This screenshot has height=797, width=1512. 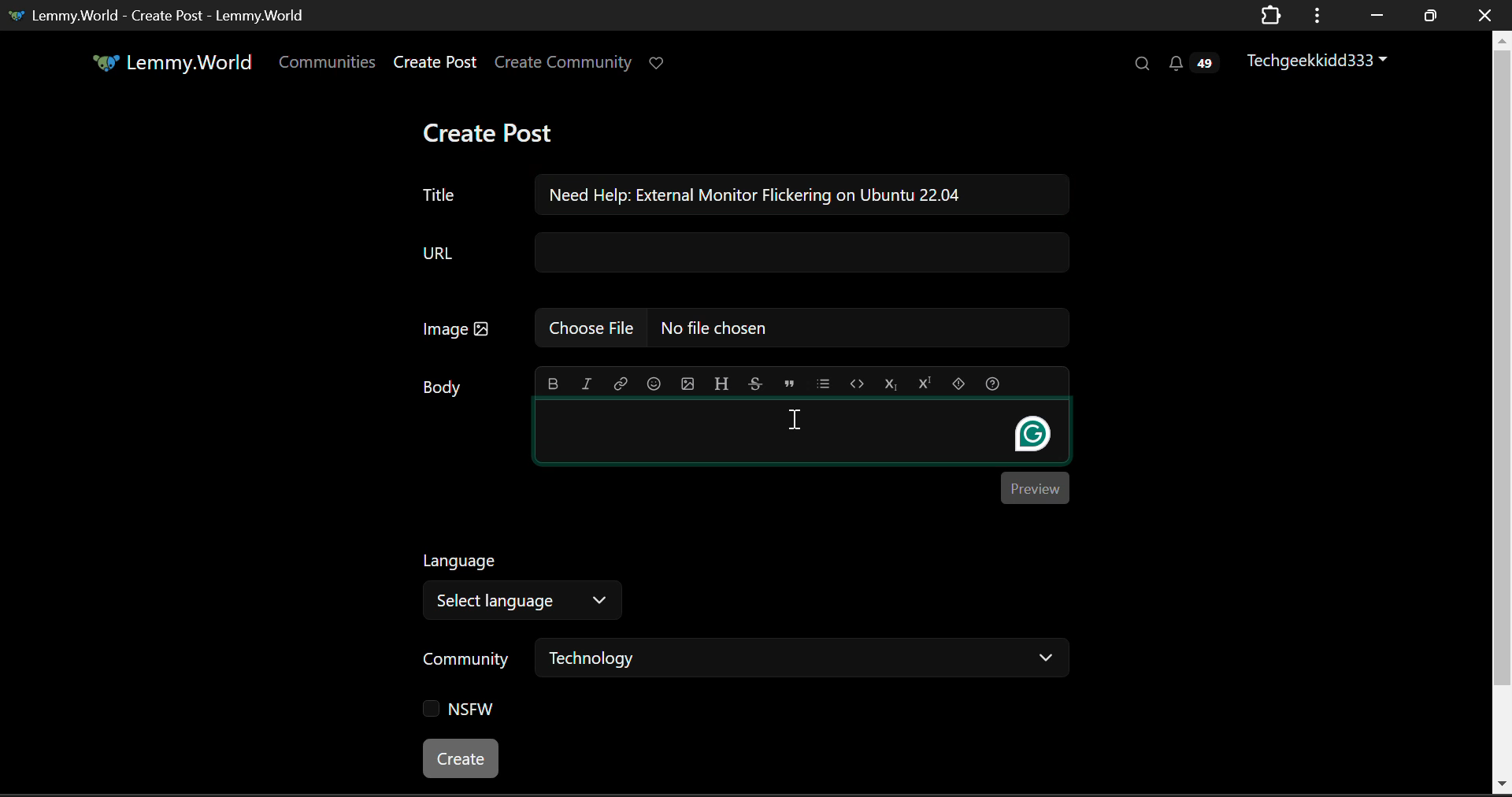 I want to click on Select Language, so click(x=530, y=581).